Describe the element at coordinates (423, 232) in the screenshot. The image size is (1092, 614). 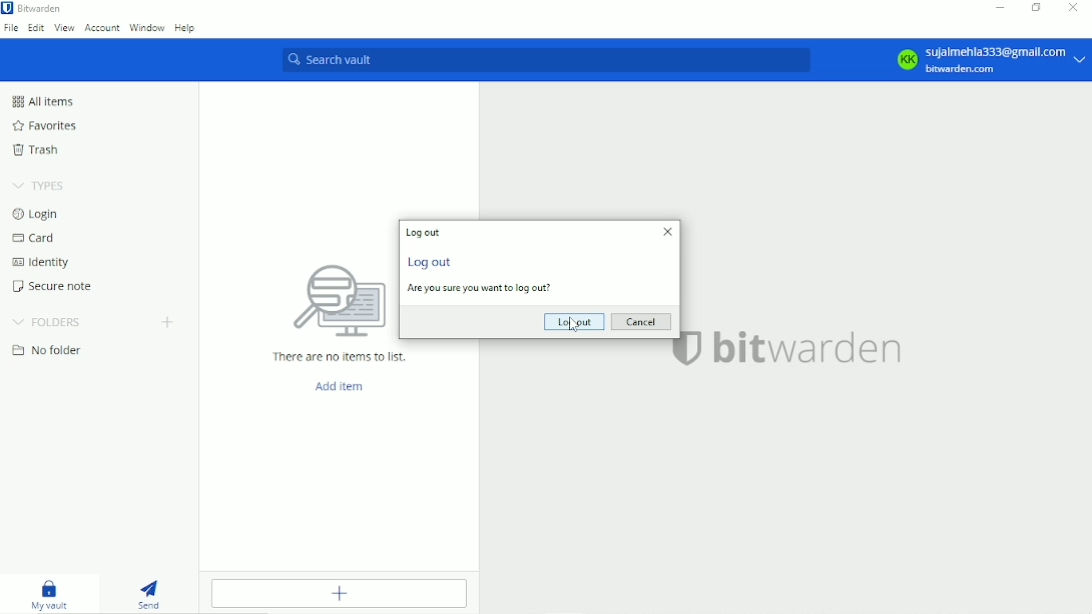
I see `Log out` at that location.